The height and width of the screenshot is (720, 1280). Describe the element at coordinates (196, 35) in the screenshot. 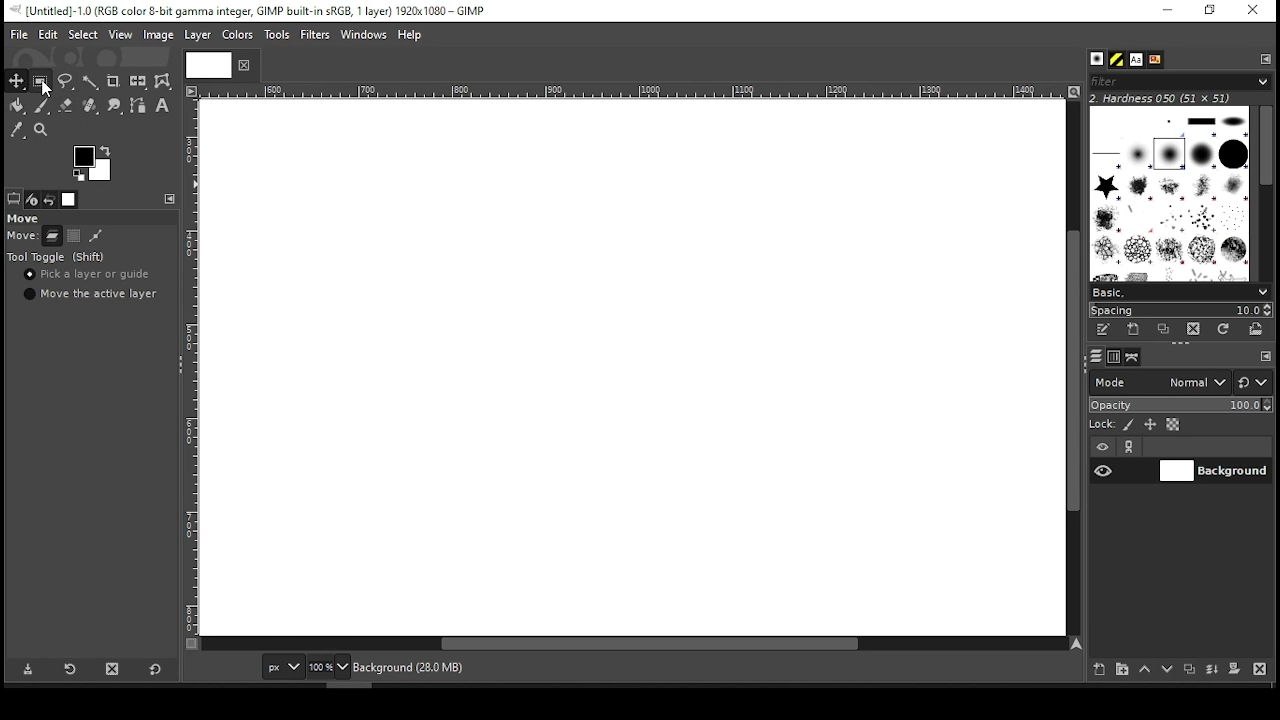

I see `layer` at that location.